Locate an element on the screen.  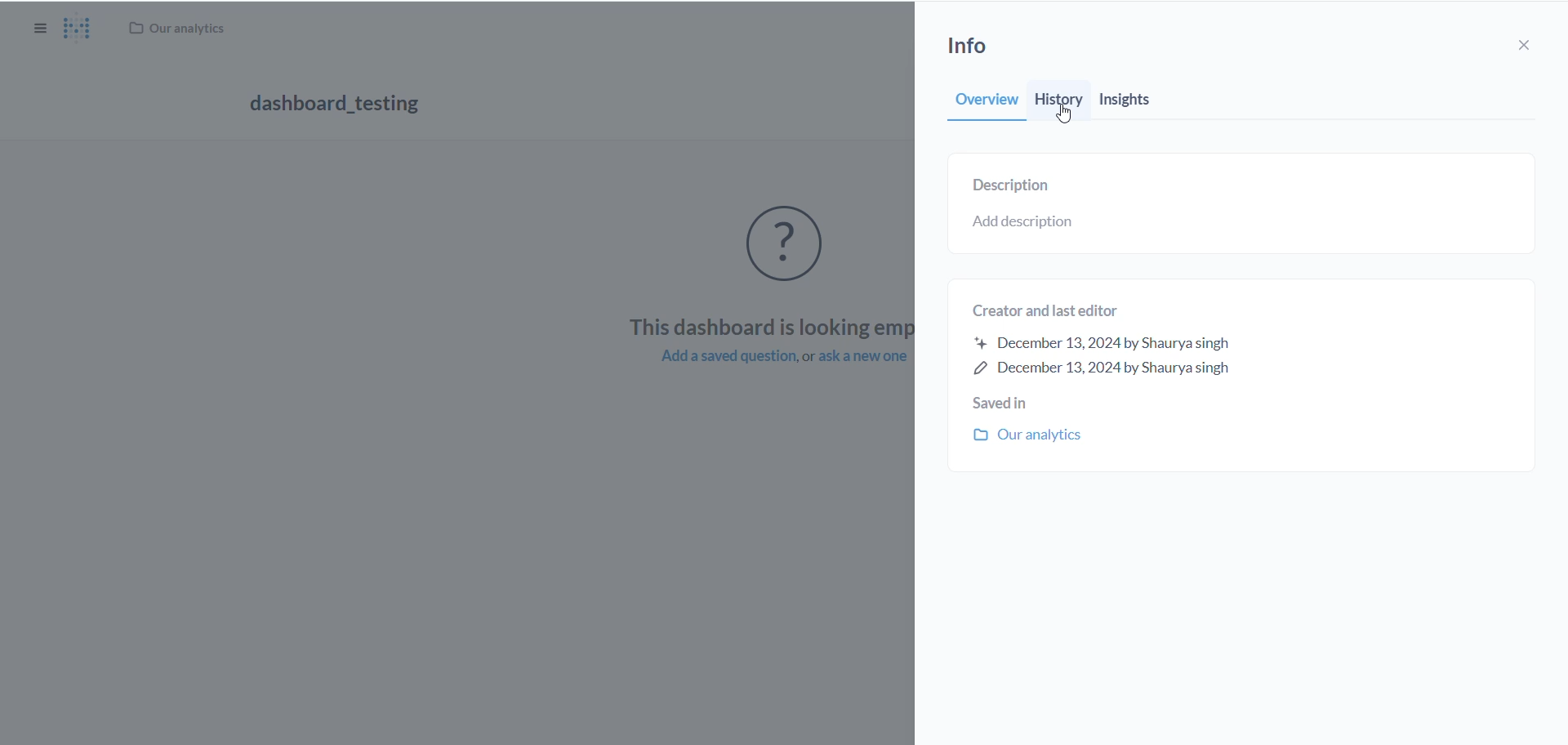
empty icon is located at coordinates (795, 246).